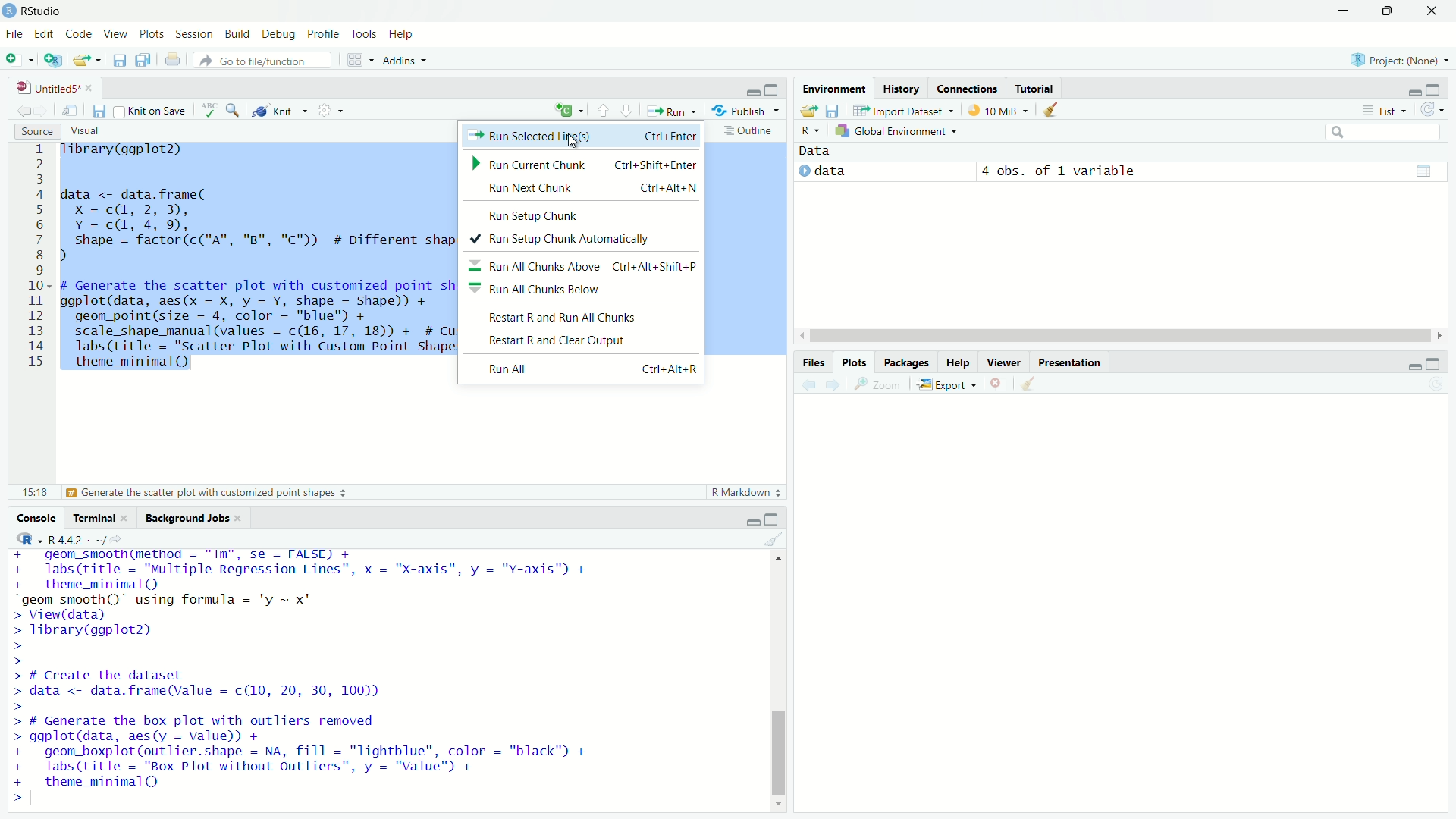  Describe the element at coordinates (1398, 60) in the screenshot. I see `Project: (None)` at that location.